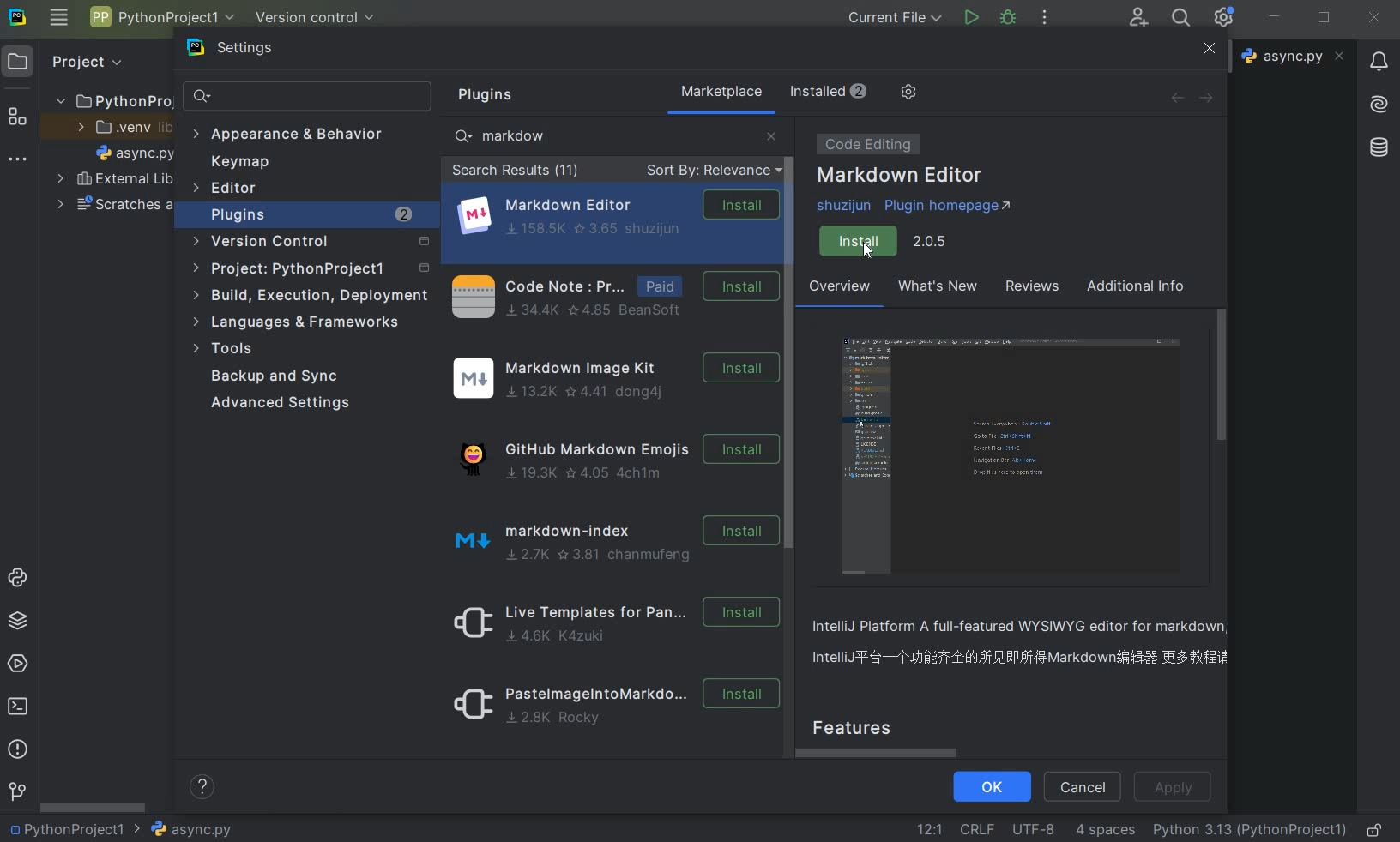  Describe the element at coordinates (895, 17) in the screenshot. I see `current file` at that location.